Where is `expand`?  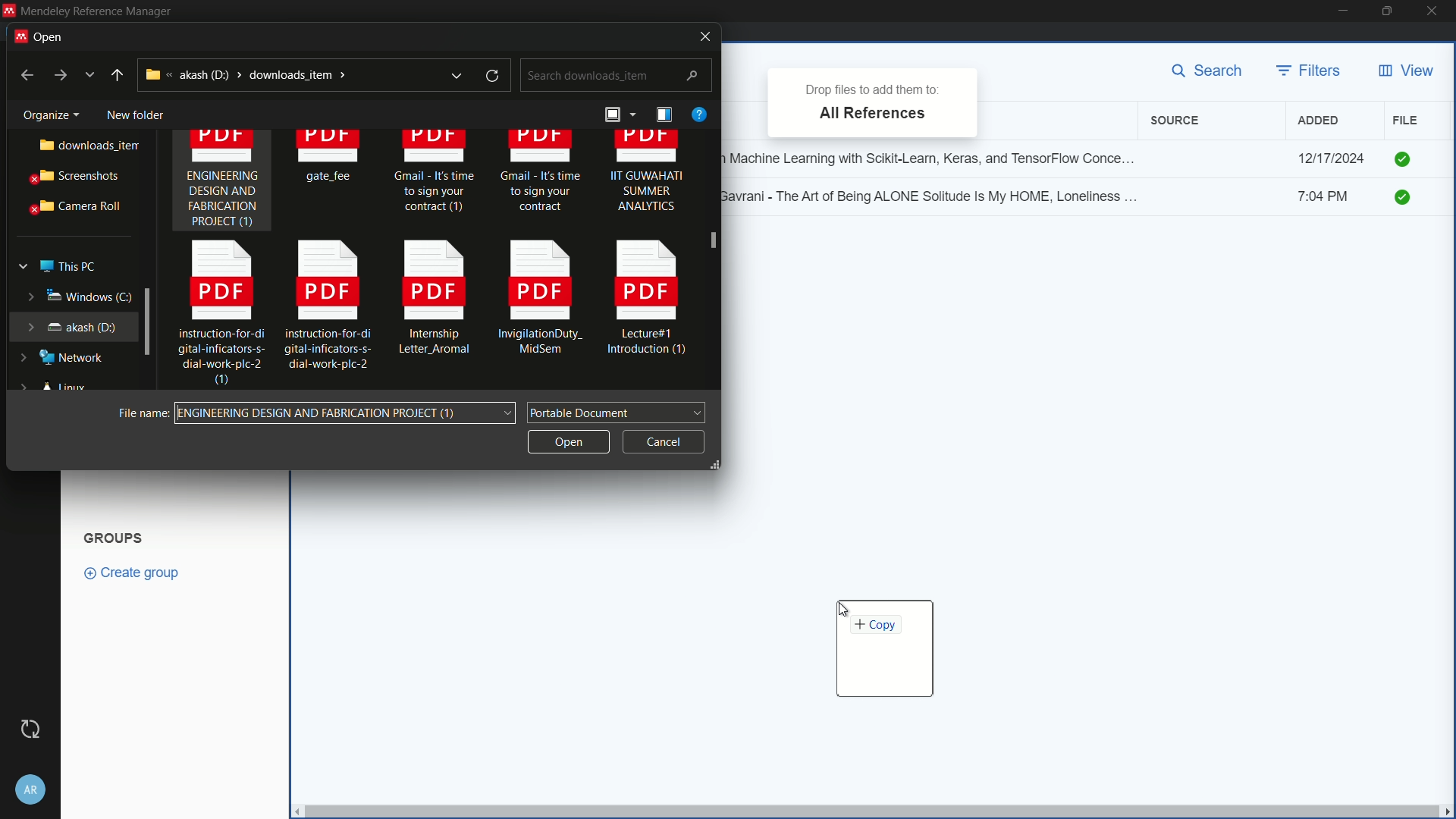
expand is located at coordinates (456, 75).